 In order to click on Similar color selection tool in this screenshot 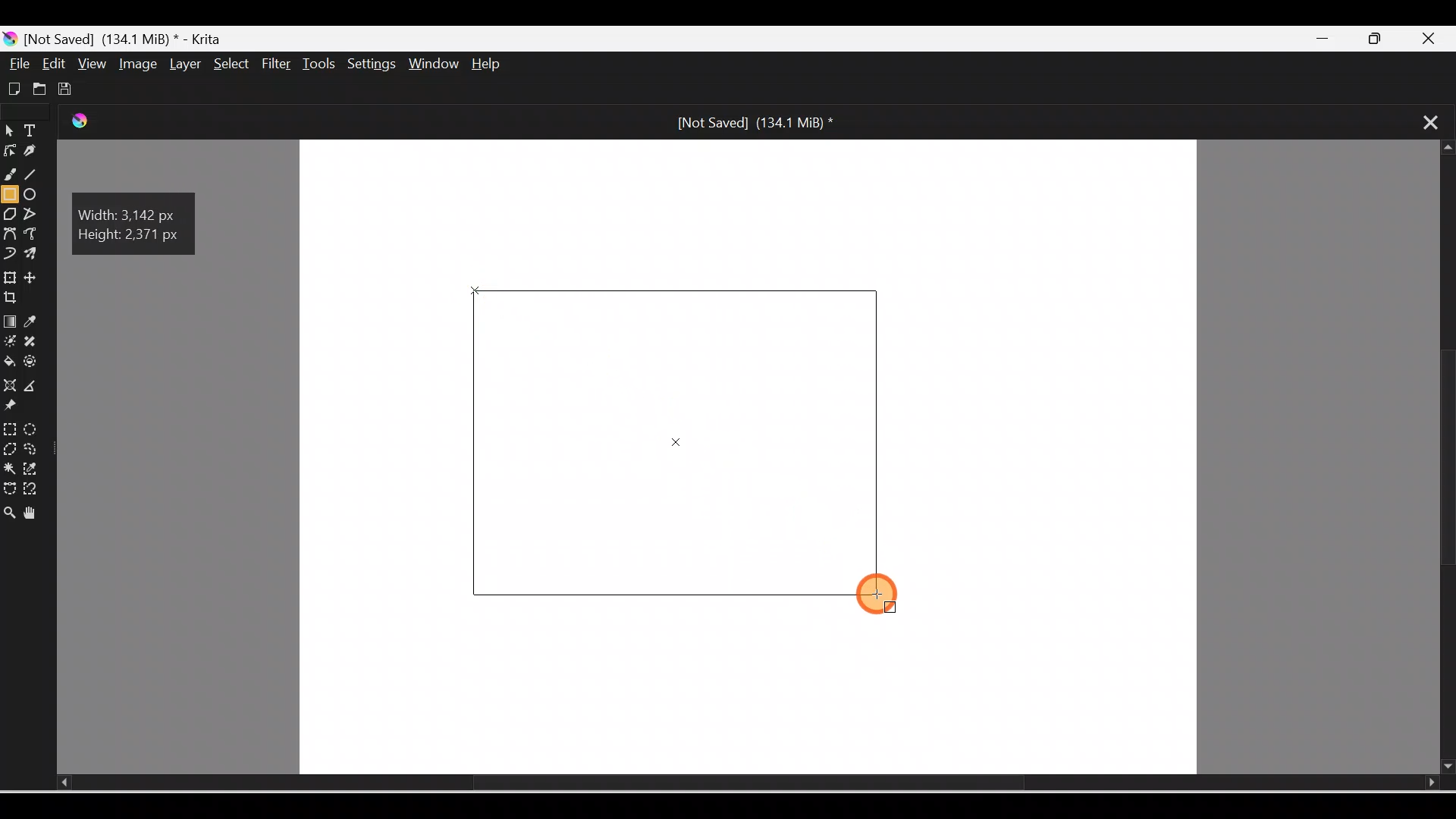, I will do `click(33, 467)`.